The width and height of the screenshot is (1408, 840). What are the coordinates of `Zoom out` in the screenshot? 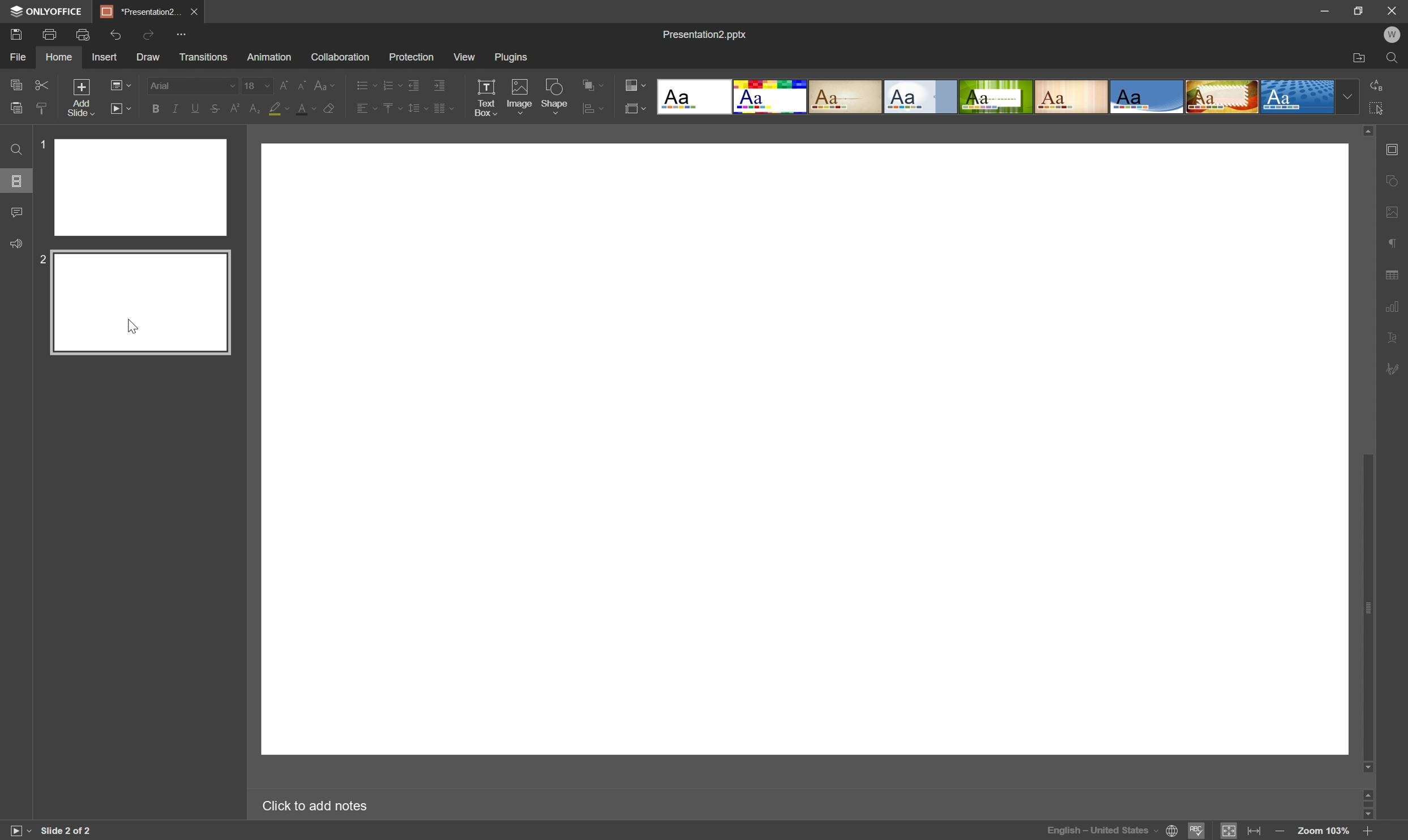 It's located at (1279, 830).